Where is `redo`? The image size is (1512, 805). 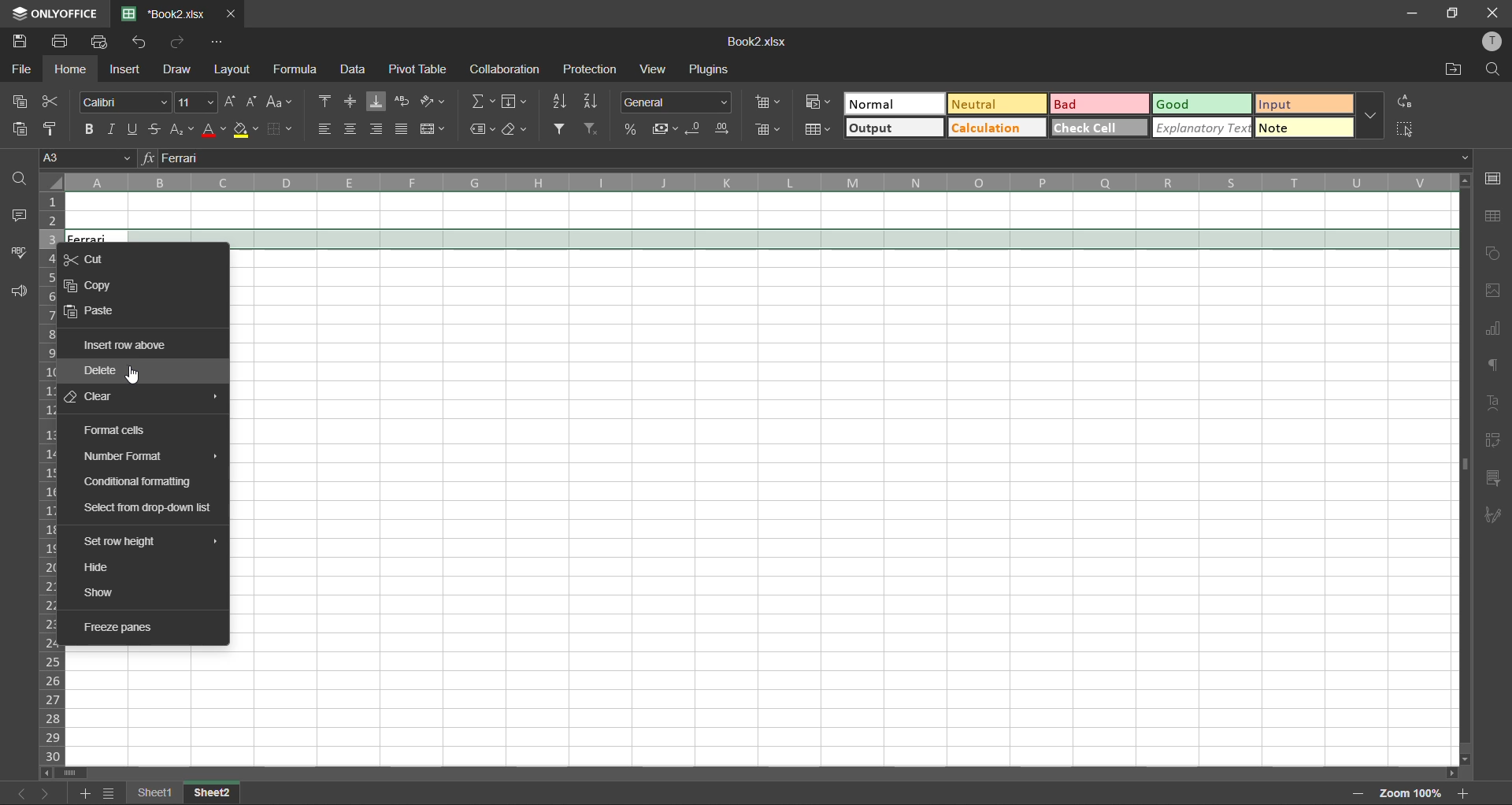 redo is located at coordinates (177, 43).